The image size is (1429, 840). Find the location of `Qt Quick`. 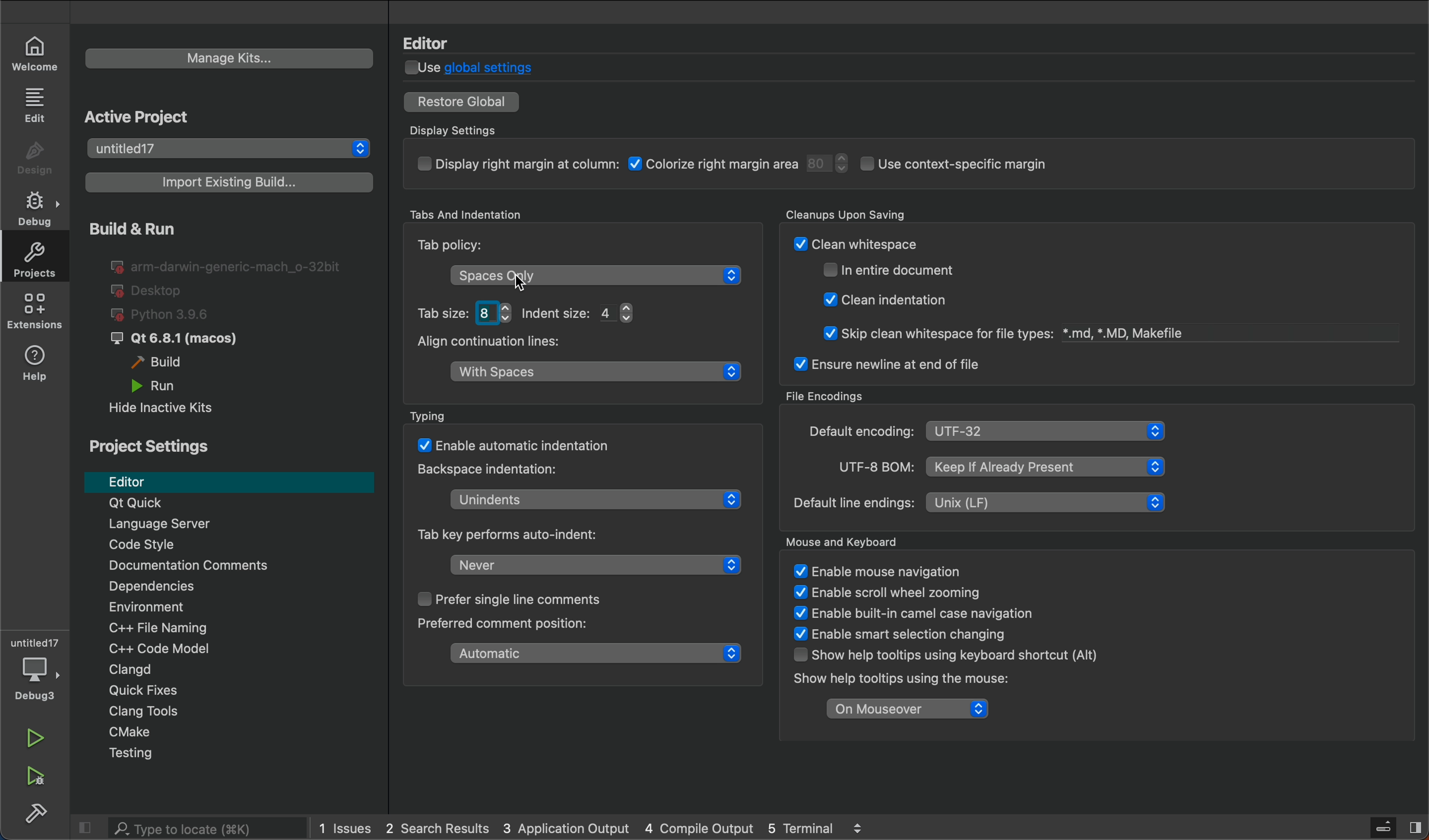

Qt Quick is located at coordinates (230, 504).